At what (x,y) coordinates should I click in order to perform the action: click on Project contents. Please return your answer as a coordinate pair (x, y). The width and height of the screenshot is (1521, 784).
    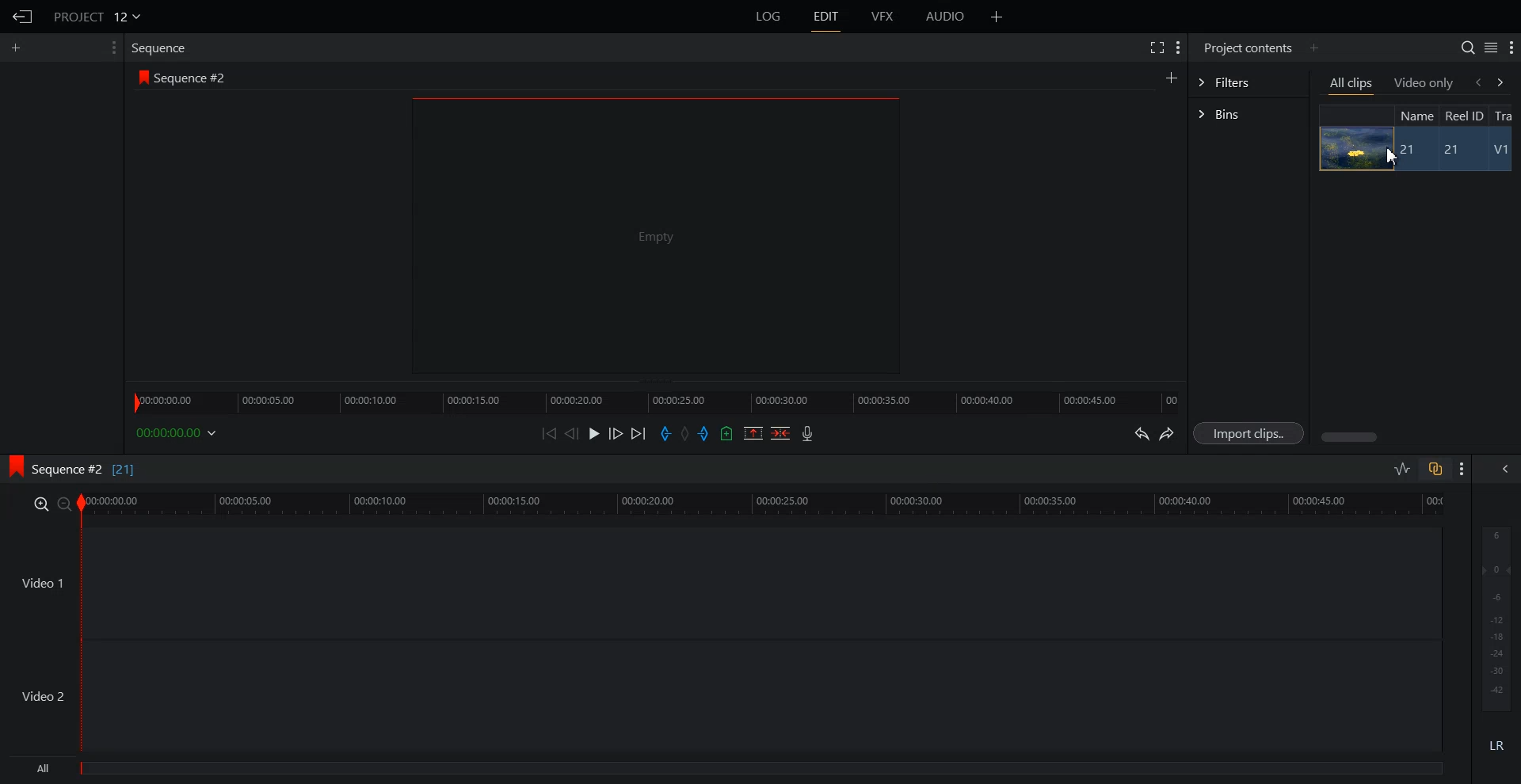
    Looking at the image, I should click on (1246, 46).